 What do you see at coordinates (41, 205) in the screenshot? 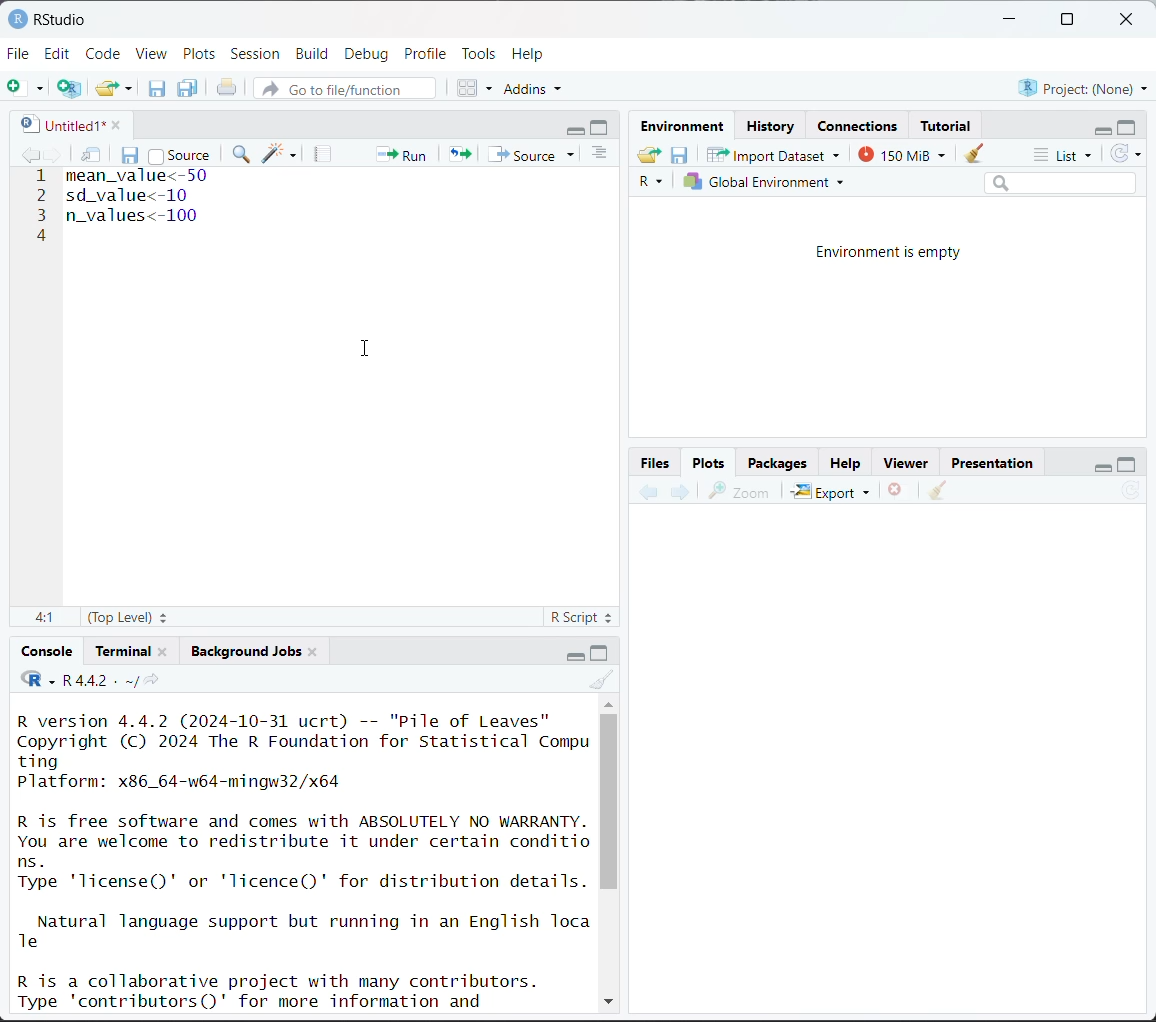
I see `line number` at bounding box center [41, 205].